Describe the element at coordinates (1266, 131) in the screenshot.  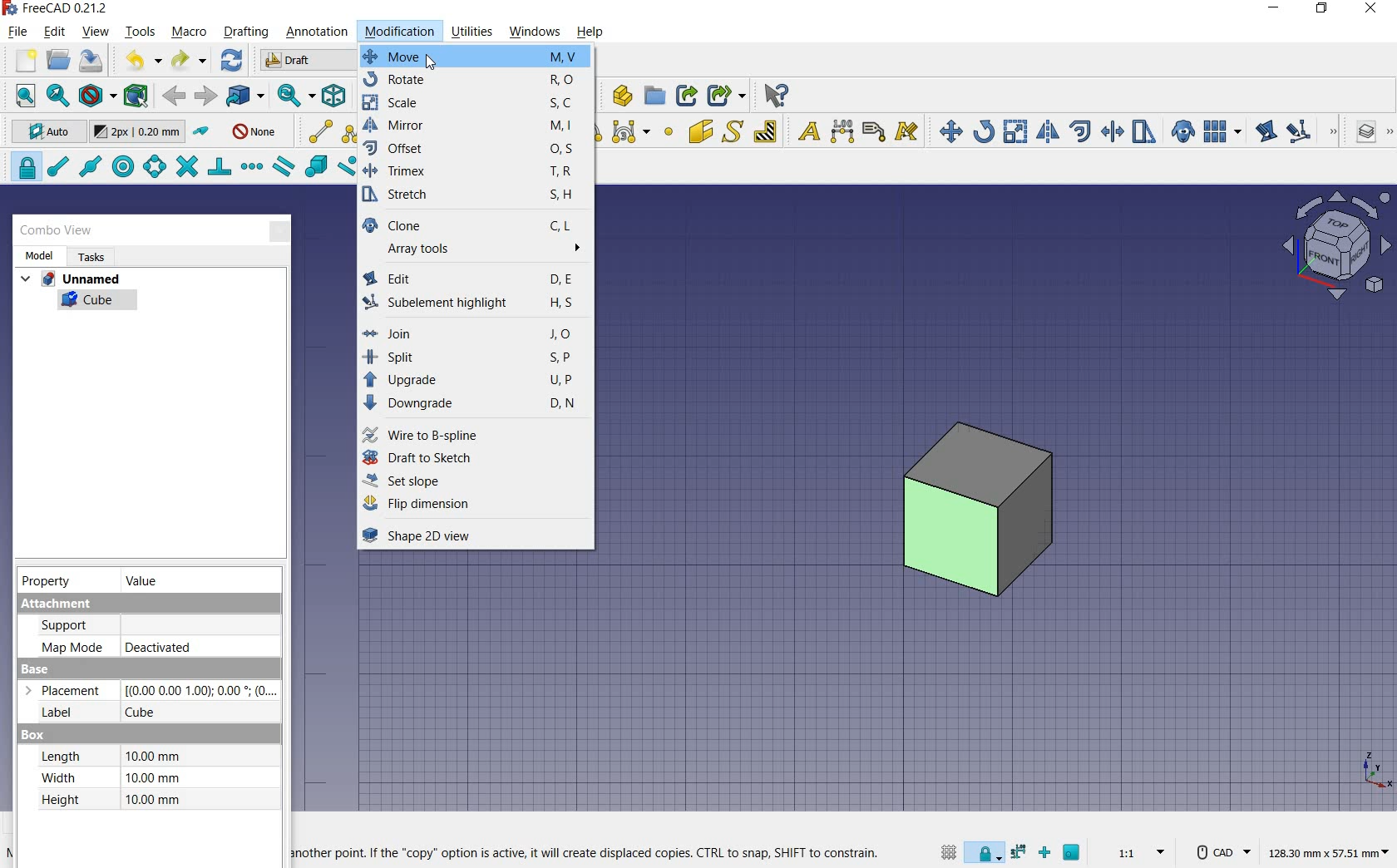
I see `edit` at that location.